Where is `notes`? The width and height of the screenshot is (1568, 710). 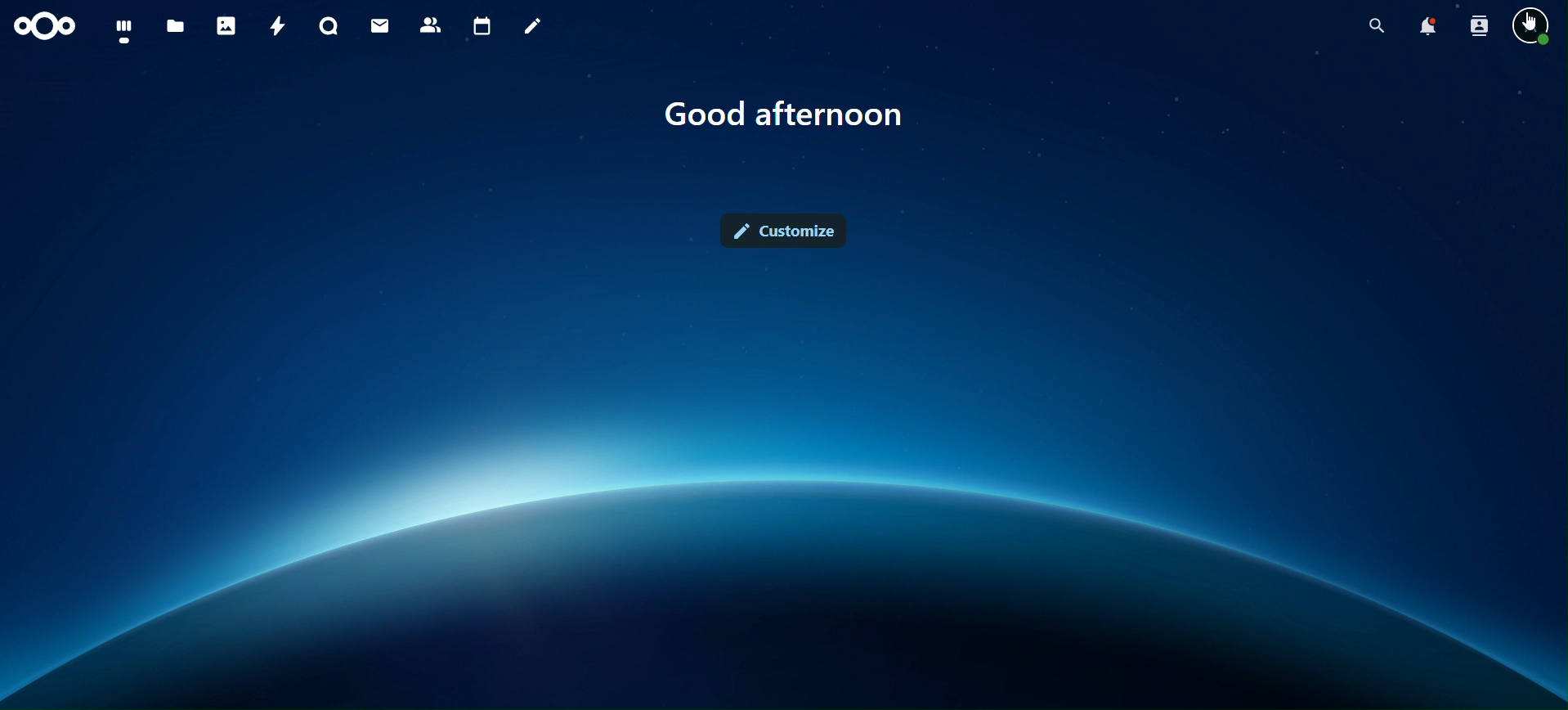
notes is located at coordinates (533, 25).